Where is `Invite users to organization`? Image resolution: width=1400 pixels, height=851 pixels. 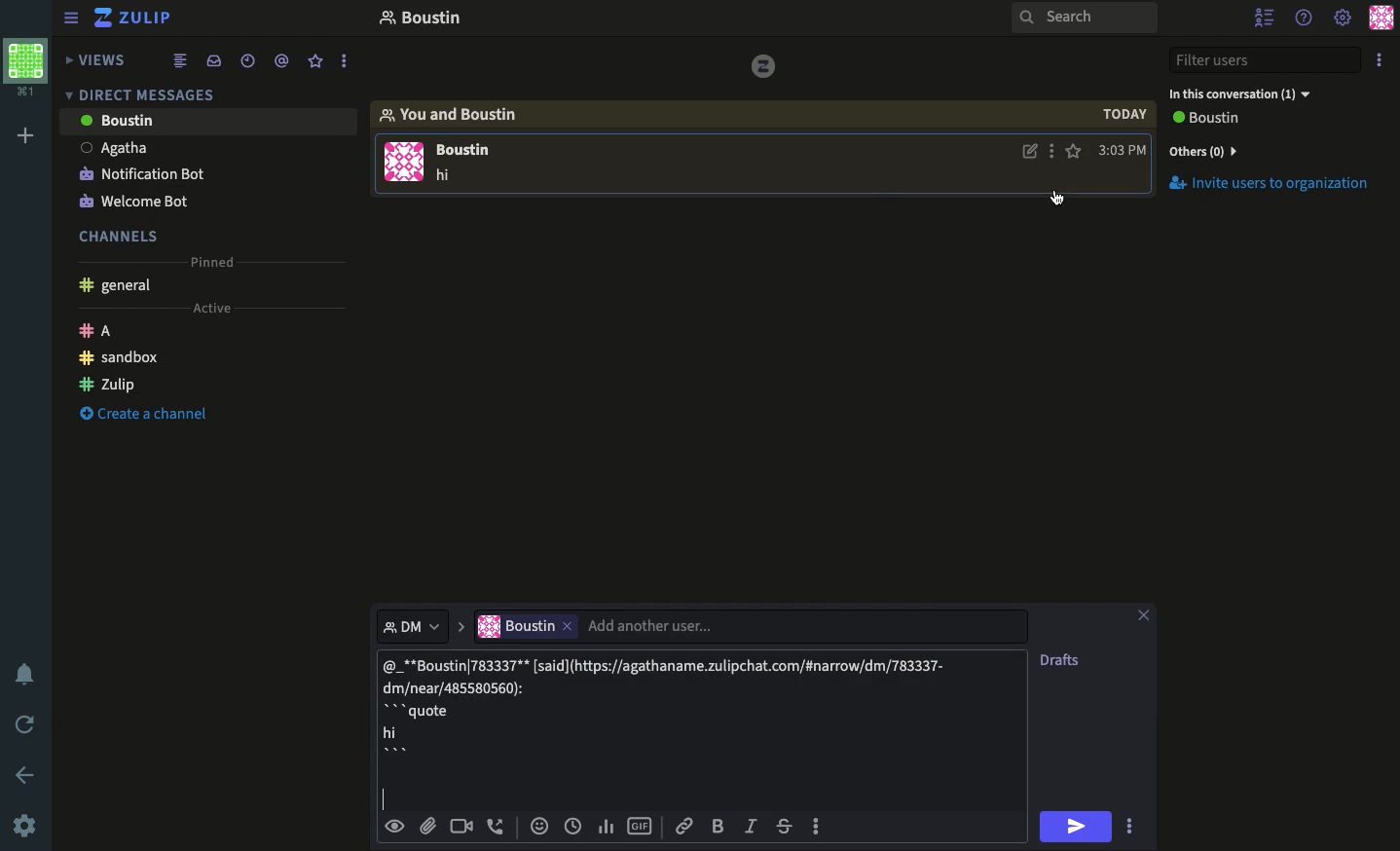
Invite users to organization is located at coordinates (1278, 185).